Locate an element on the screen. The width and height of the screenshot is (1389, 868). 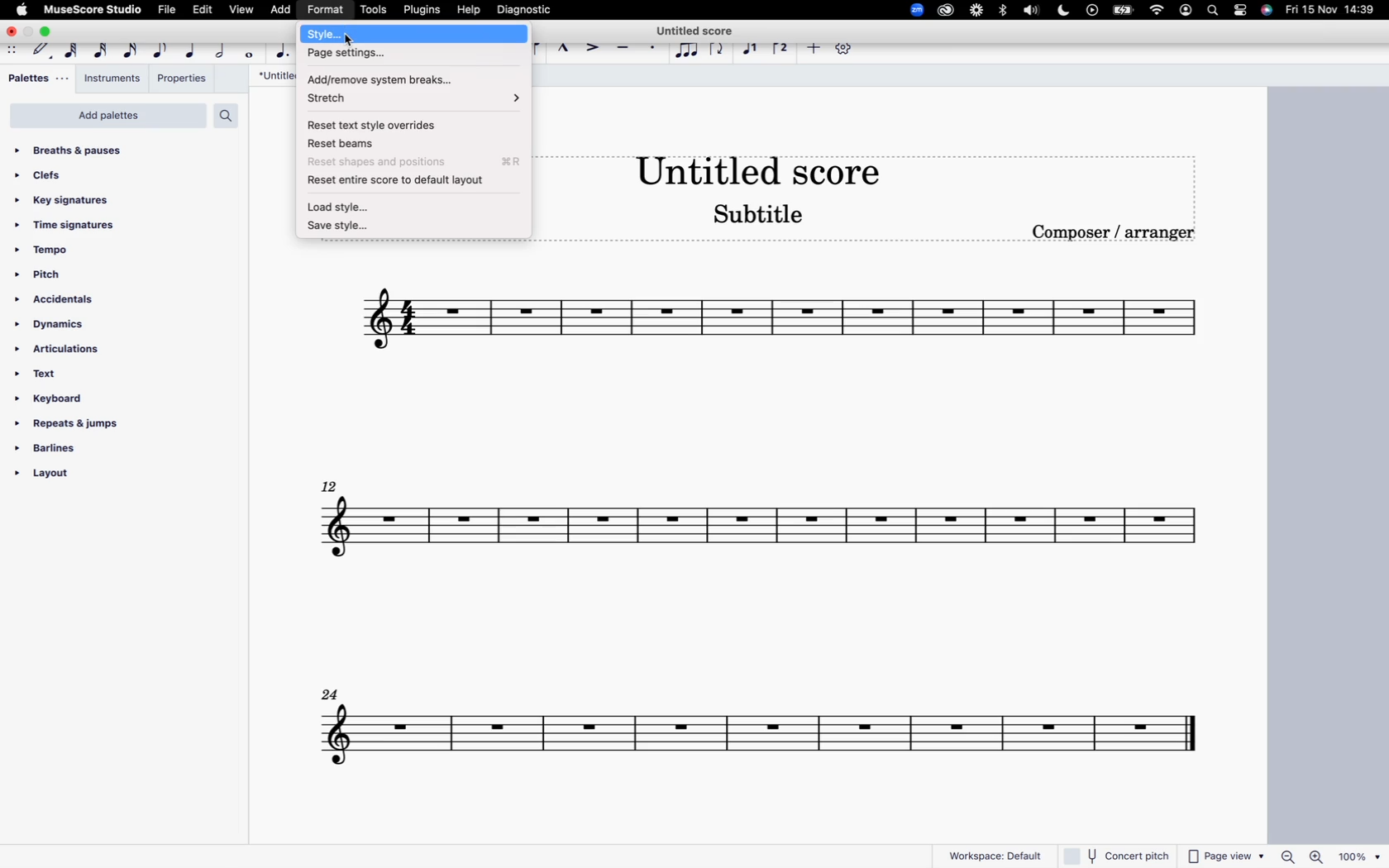
settings is located at coordinates (1241, 10).